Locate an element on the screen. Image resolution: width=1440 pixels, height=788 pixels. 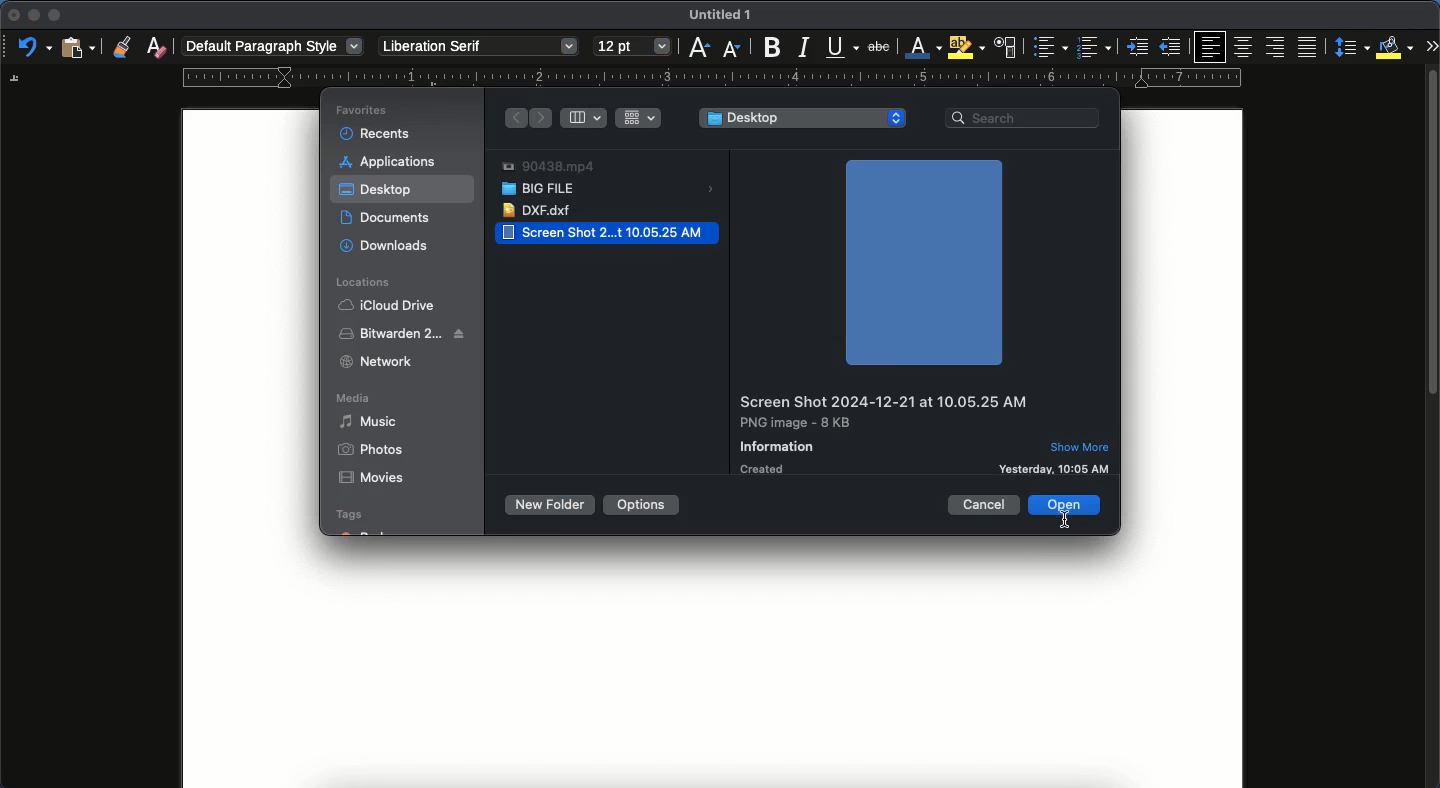
big file is located at coordinates (610, 190).